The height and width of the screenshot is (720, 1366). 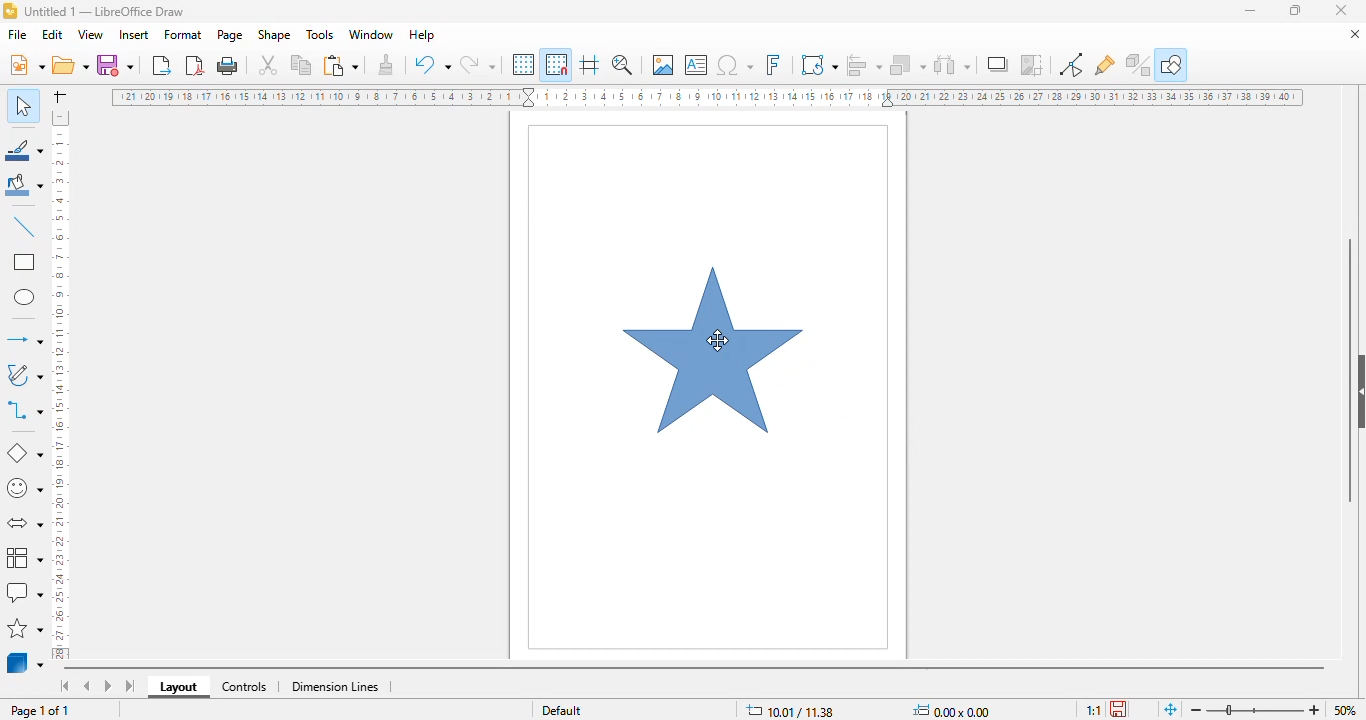 I want to click on redo, so click(x=477, y=64).